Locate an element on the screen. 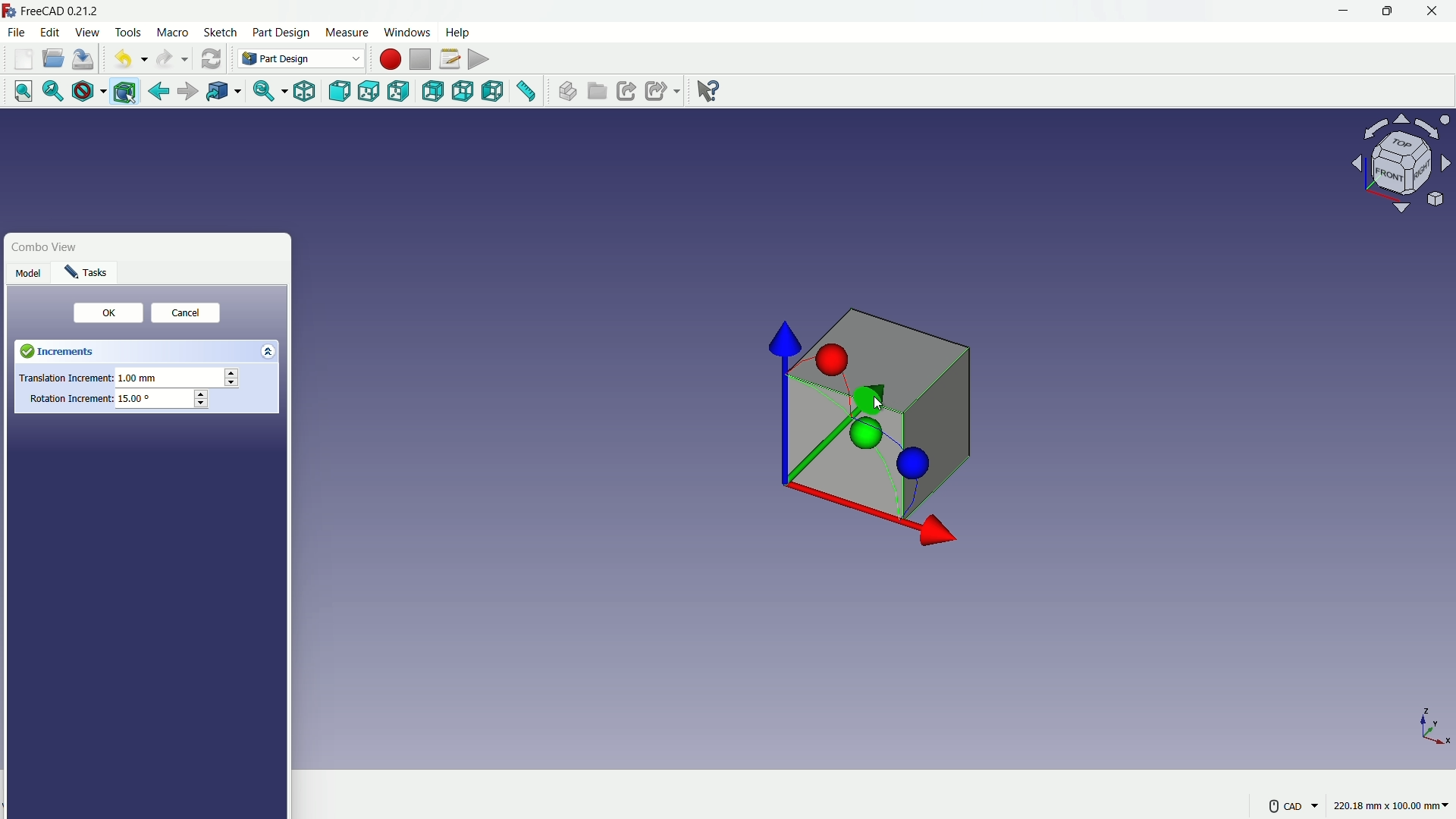 The image size is (1456, 819). front view is located at coordinates (341, 92).